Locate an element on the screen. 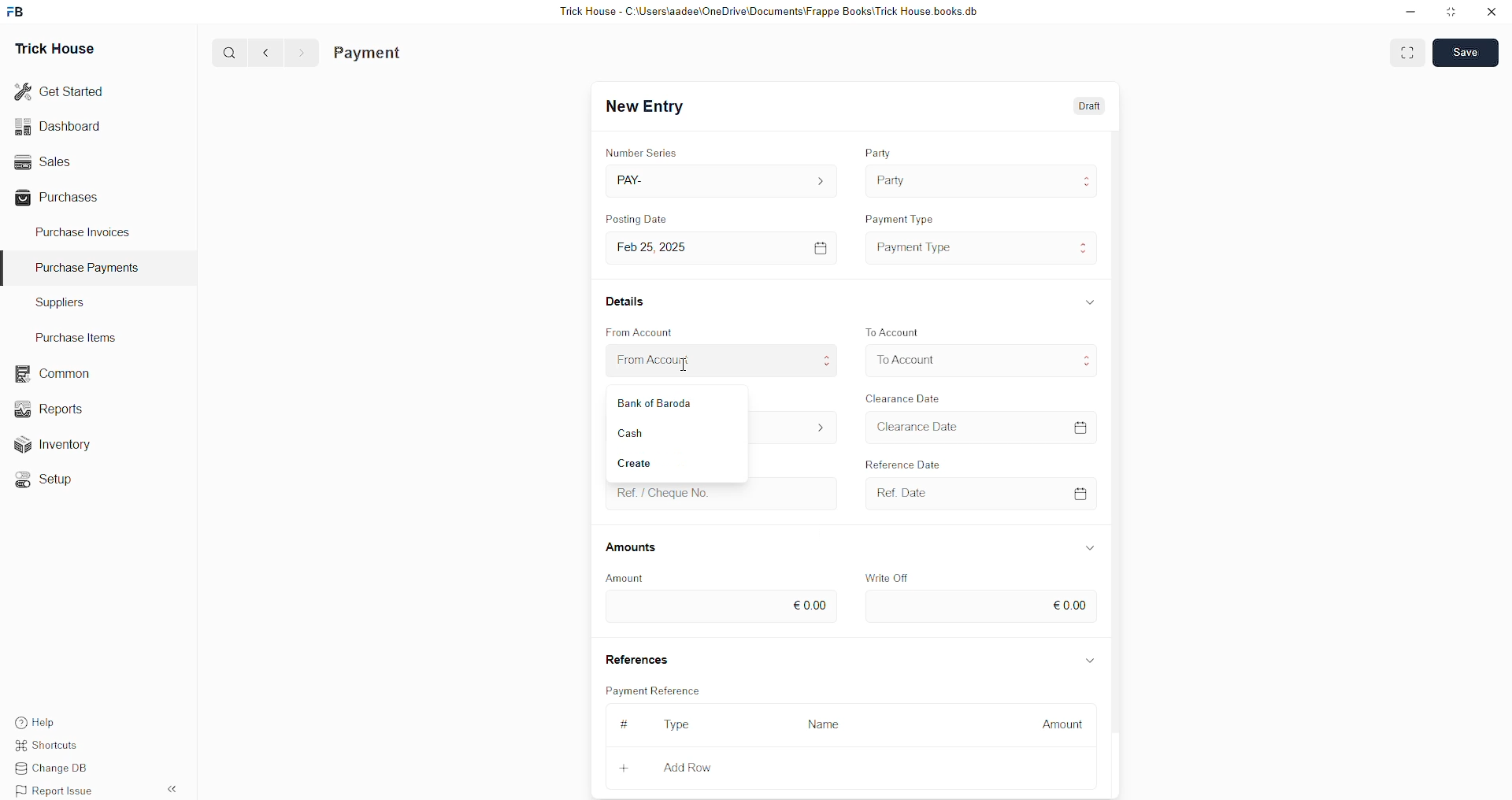  Payment Type is located at coordinates (905, 216).